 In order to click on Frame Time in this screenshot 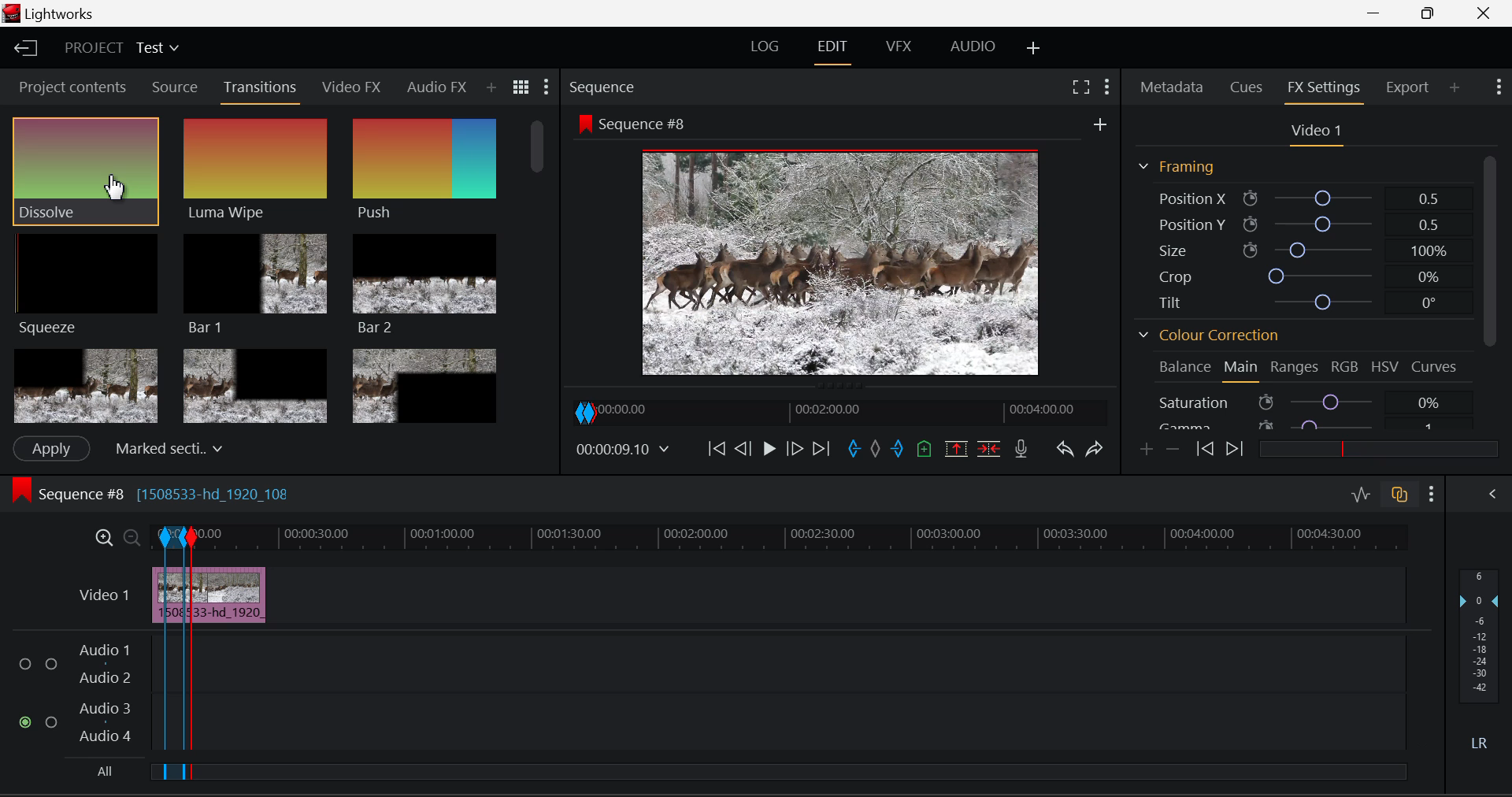, I will do `click(622, 449)`.